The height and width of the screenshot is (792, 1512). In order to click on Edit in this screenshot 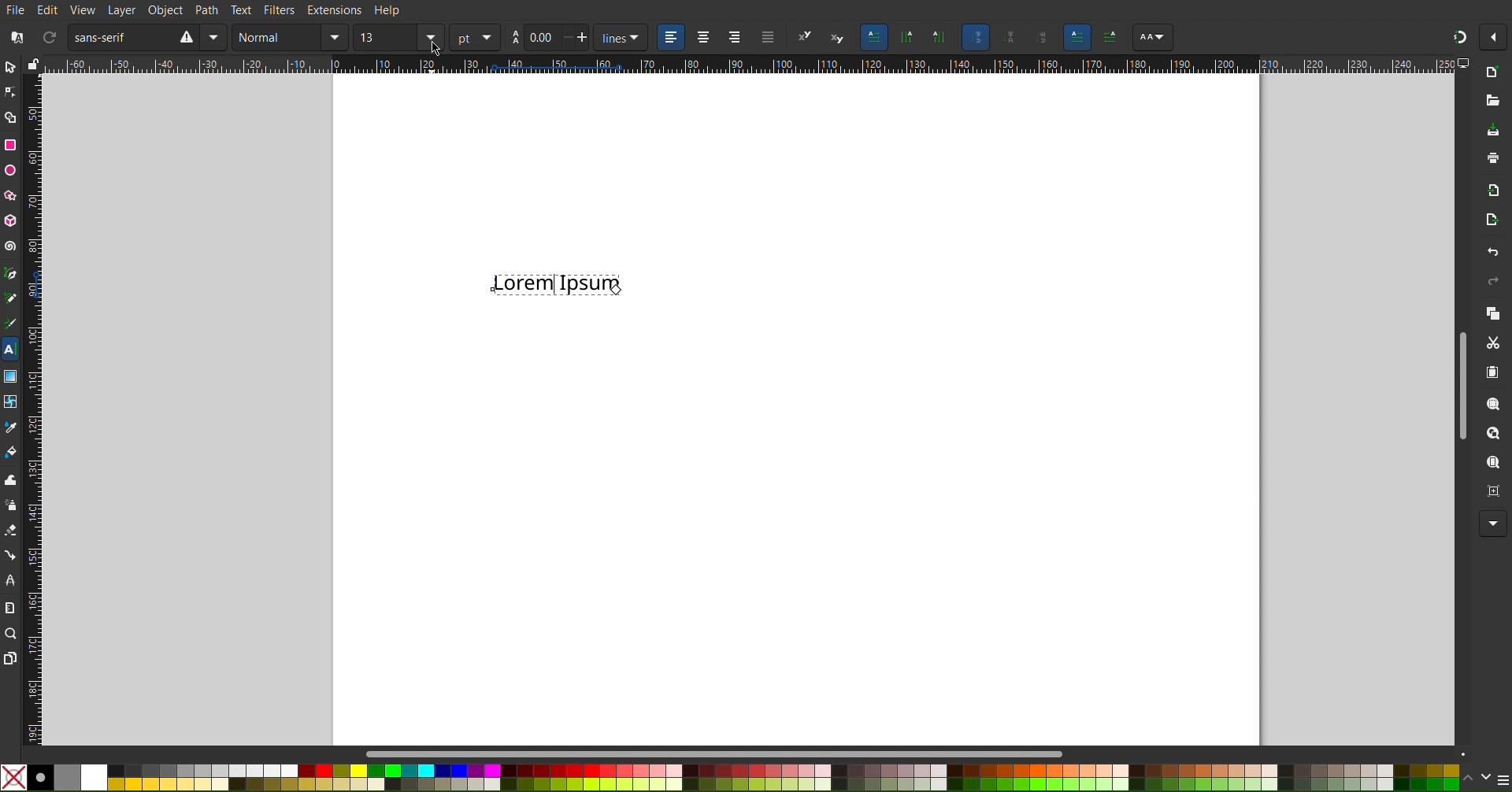, I will do `click(49, 9)`.